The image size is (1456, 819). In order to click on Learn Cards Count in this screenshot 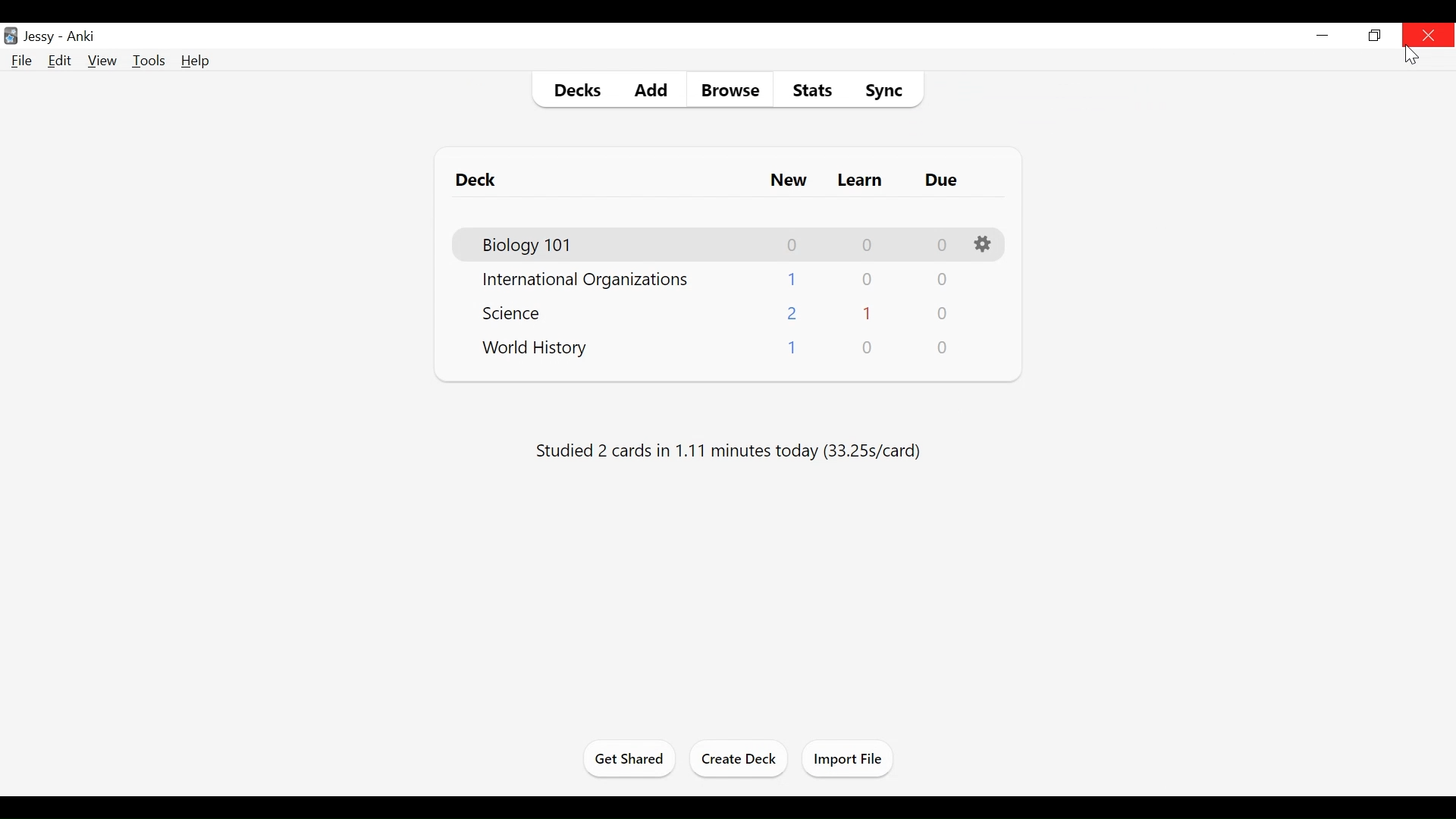, I will do `click(870, 279)`.